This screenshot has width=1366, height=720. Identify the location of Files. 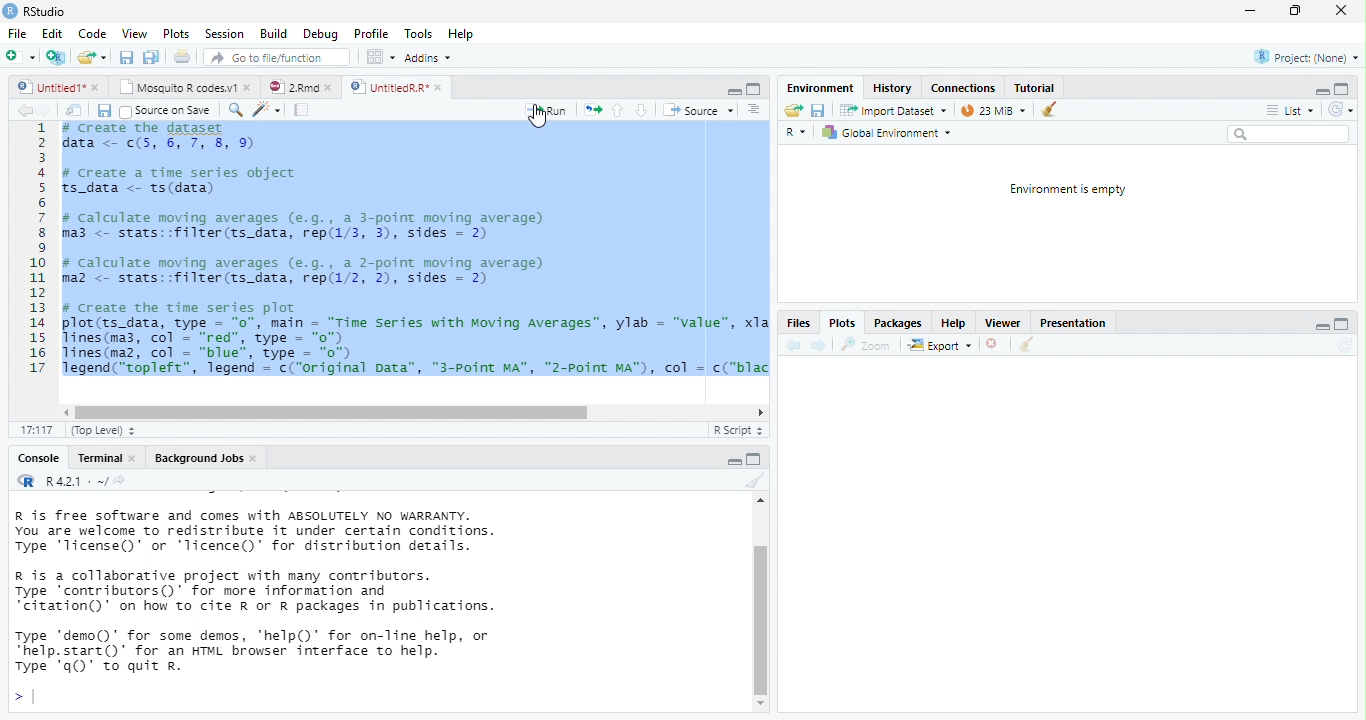
(797, 324).